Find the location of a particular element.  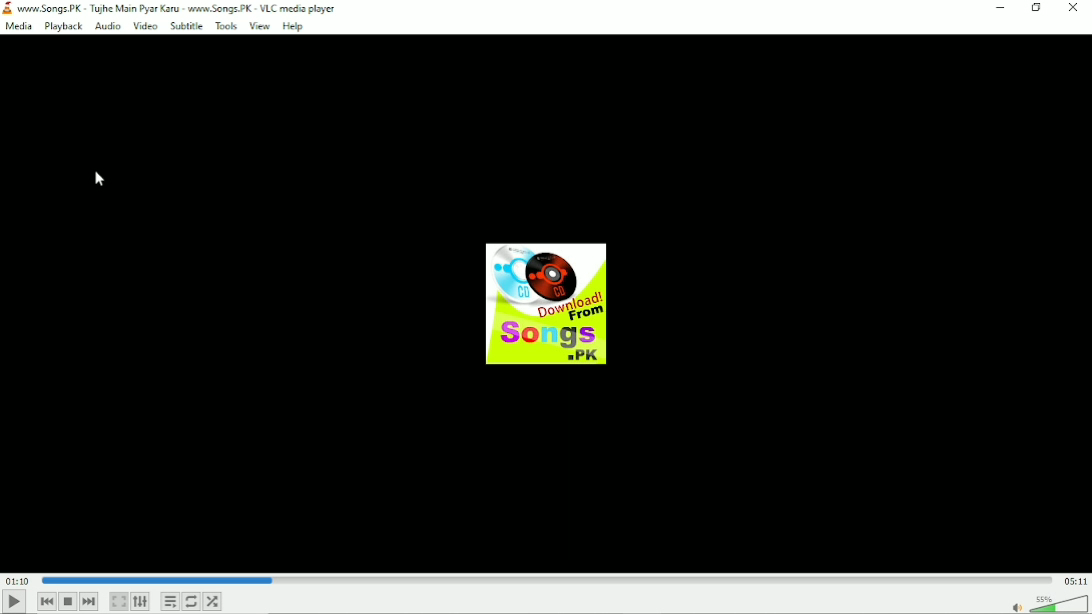

Subtitle is located at coordinates (186, 27).